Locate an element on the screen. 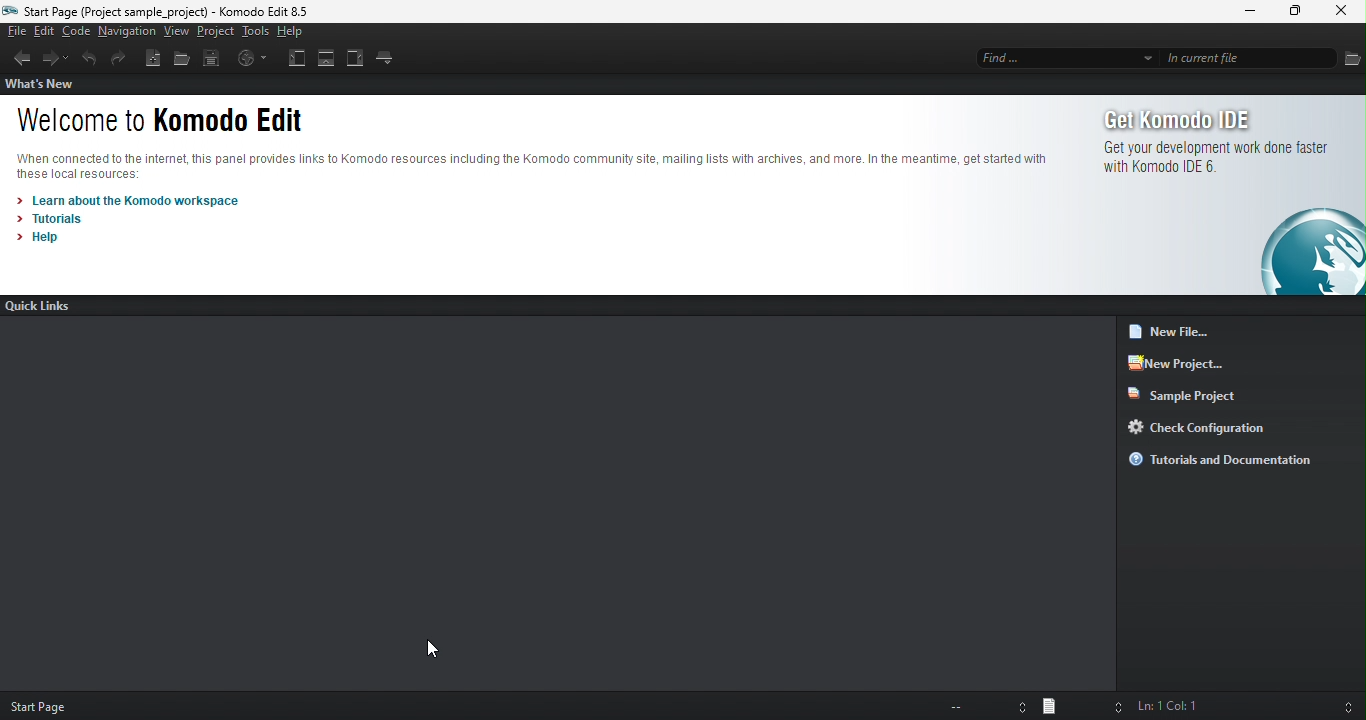 The image size is (1366, 720). file is located at coordinates (15, 31).